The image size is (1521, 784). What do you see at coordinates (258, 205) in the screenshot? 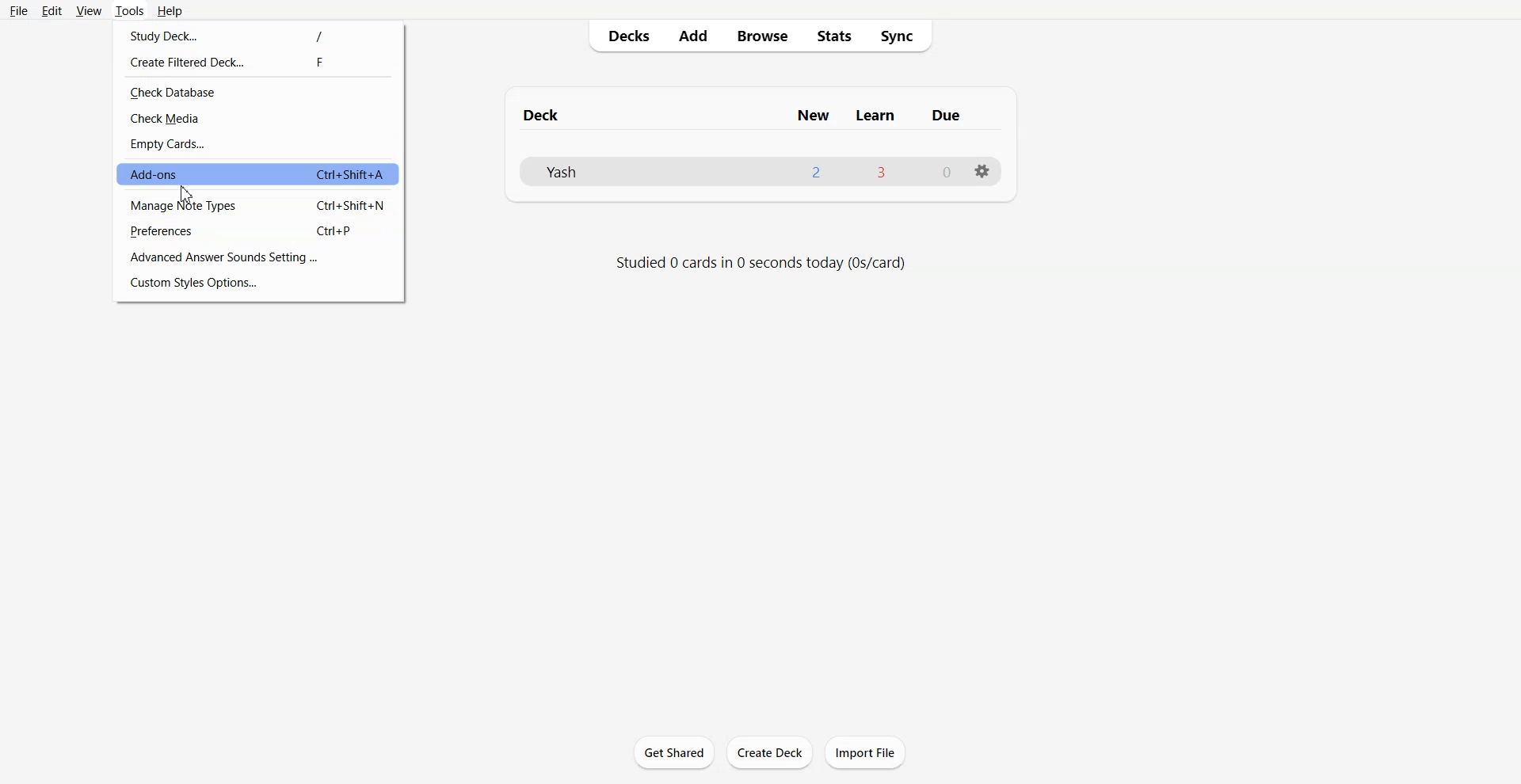
I see `Manage Note Types` at bounding box center [258, 205].